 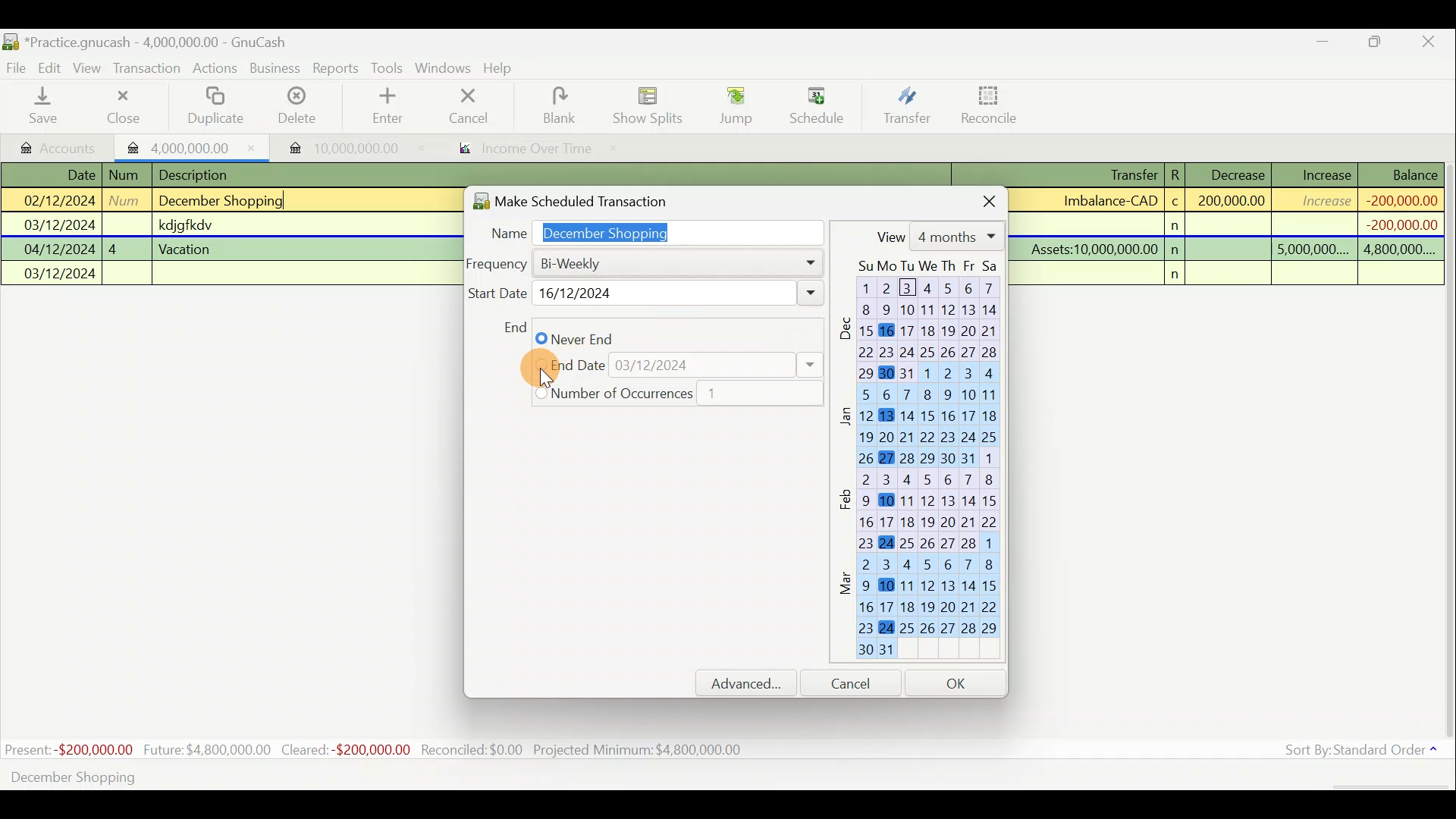 I want to click on Reports, so click(x=336, y=68).